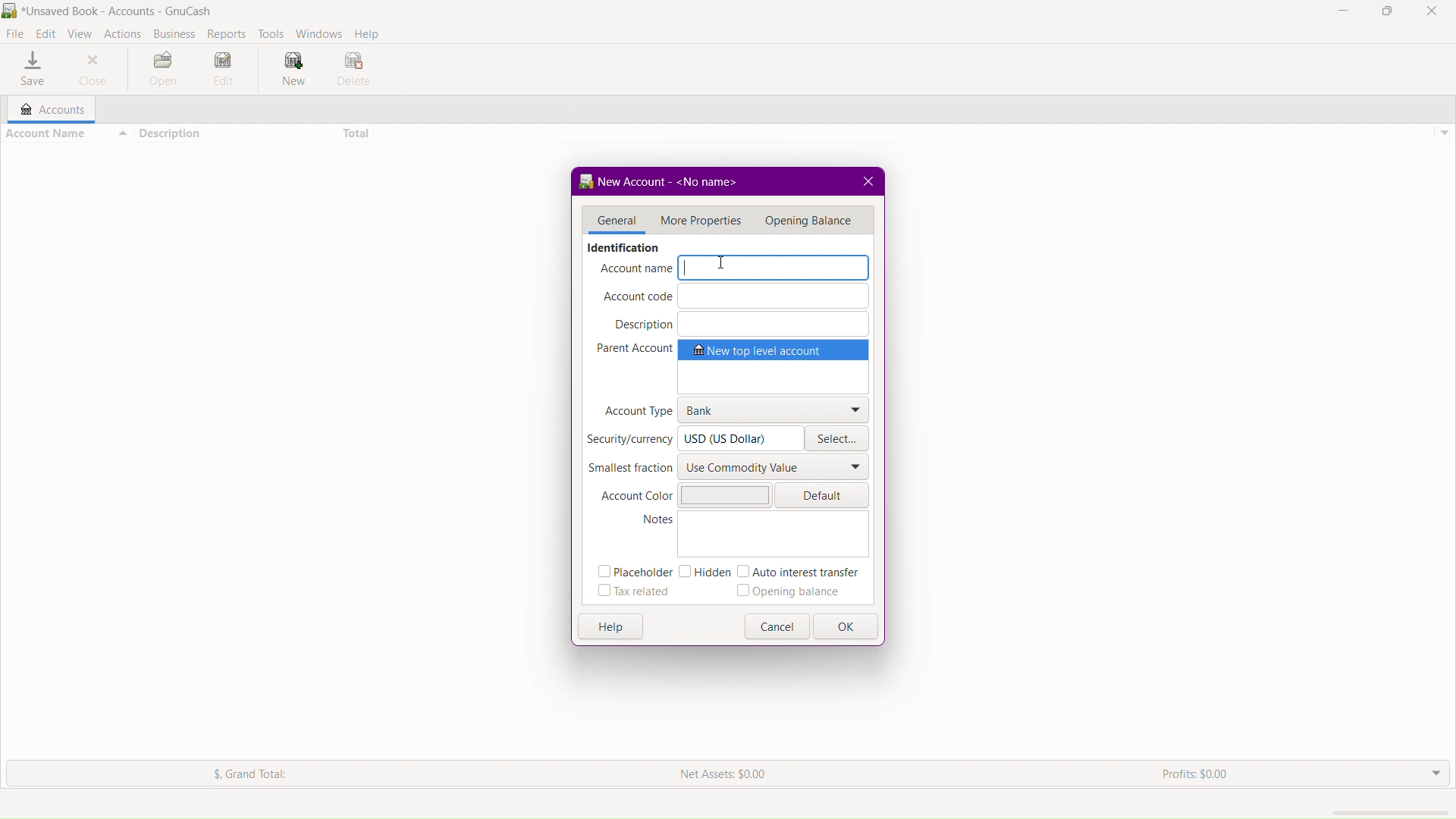 This screenshot has width=1456, height=819. Describe the element at coordinates (1386, 11) in the screenshot. I see `Maximize` at that location.